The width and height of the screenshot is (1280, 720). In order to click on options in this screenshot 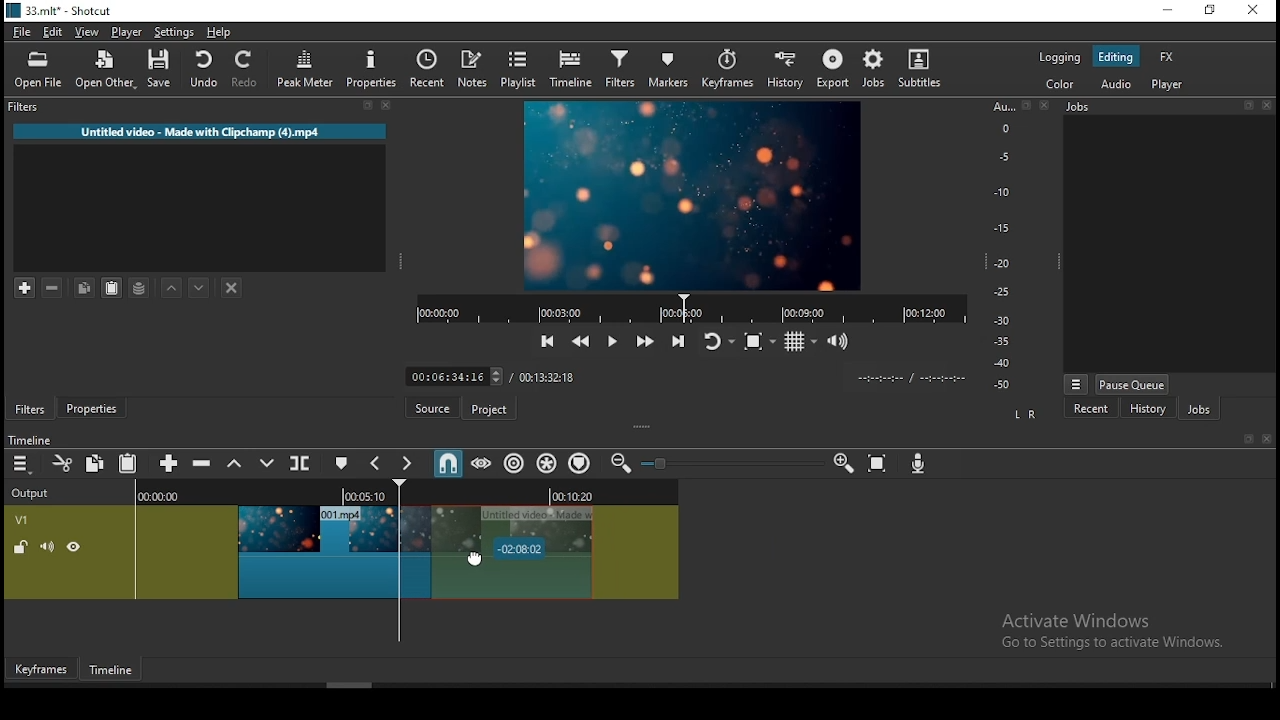, I will do `click(1076, 382)`.